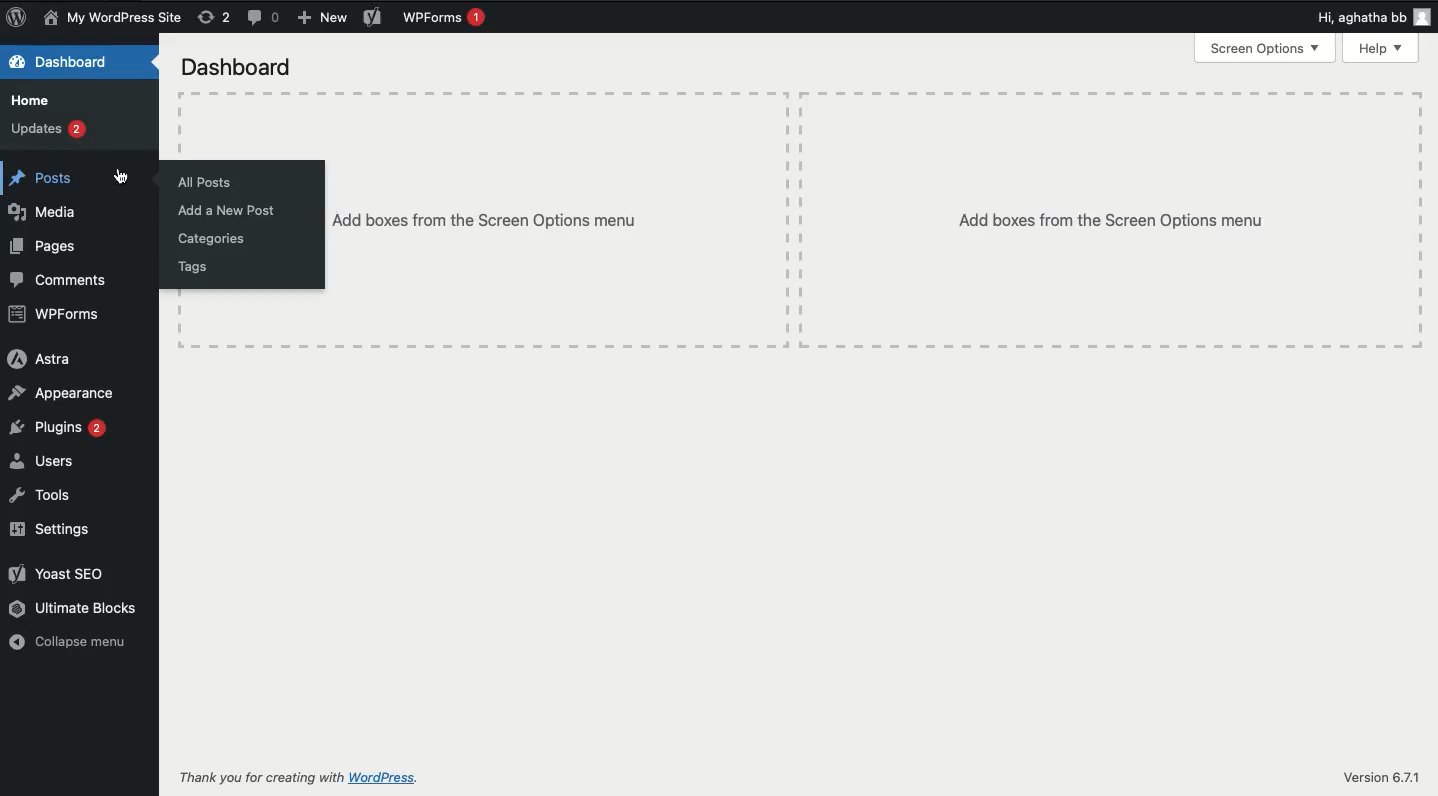  I want to click on Home, so click(36, 101).